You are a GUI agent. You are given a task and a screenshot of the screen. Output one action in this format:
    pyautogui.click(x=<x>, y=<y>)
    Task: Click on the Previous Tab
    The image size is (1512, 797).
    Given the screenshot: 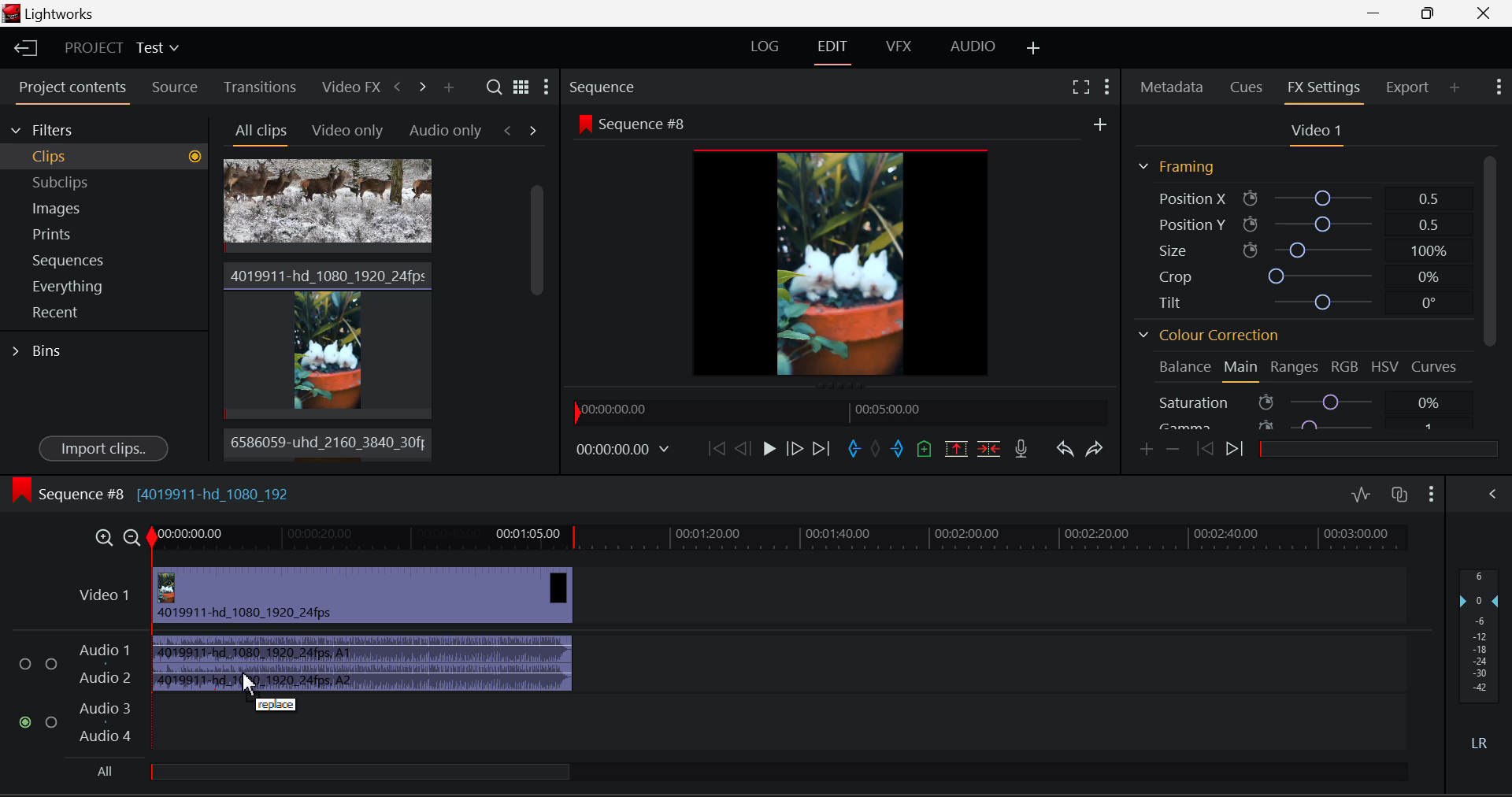 What is the action you would take?
    pyautogui.click(x=511, y=130)
    